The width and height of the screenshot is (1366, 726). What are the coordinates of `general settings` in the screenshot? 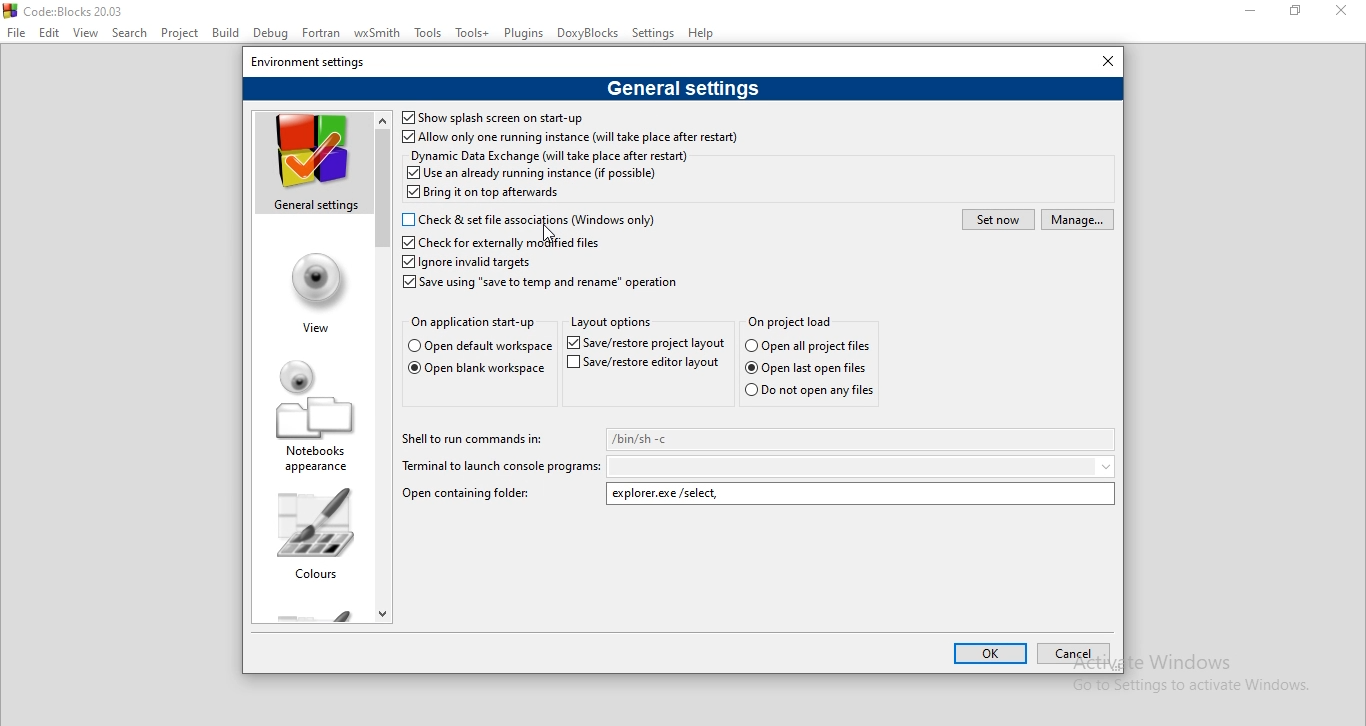 It's located at (681, 90).